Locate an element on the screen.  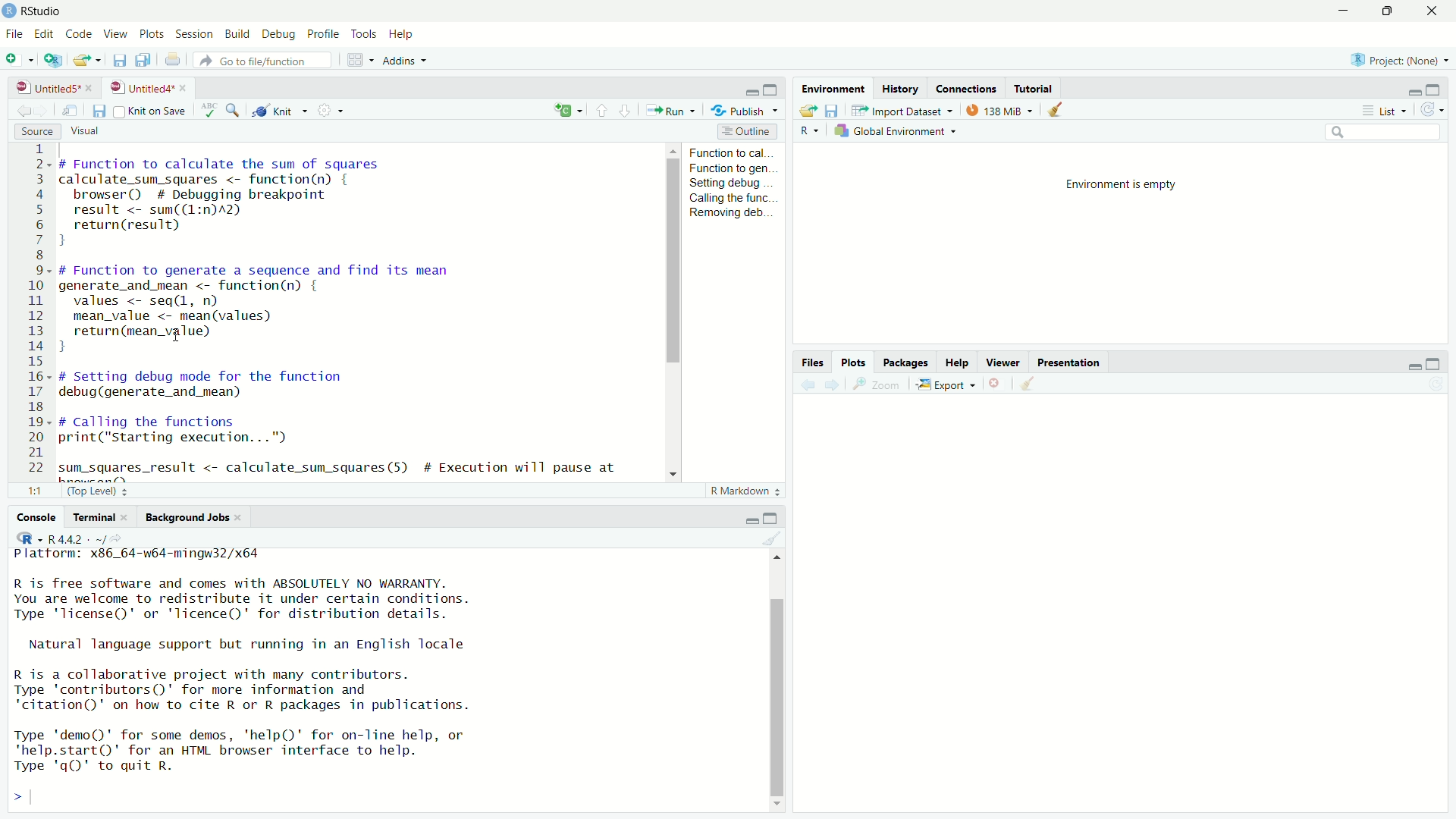
clear all plots is located at coordinates (1030, 384).